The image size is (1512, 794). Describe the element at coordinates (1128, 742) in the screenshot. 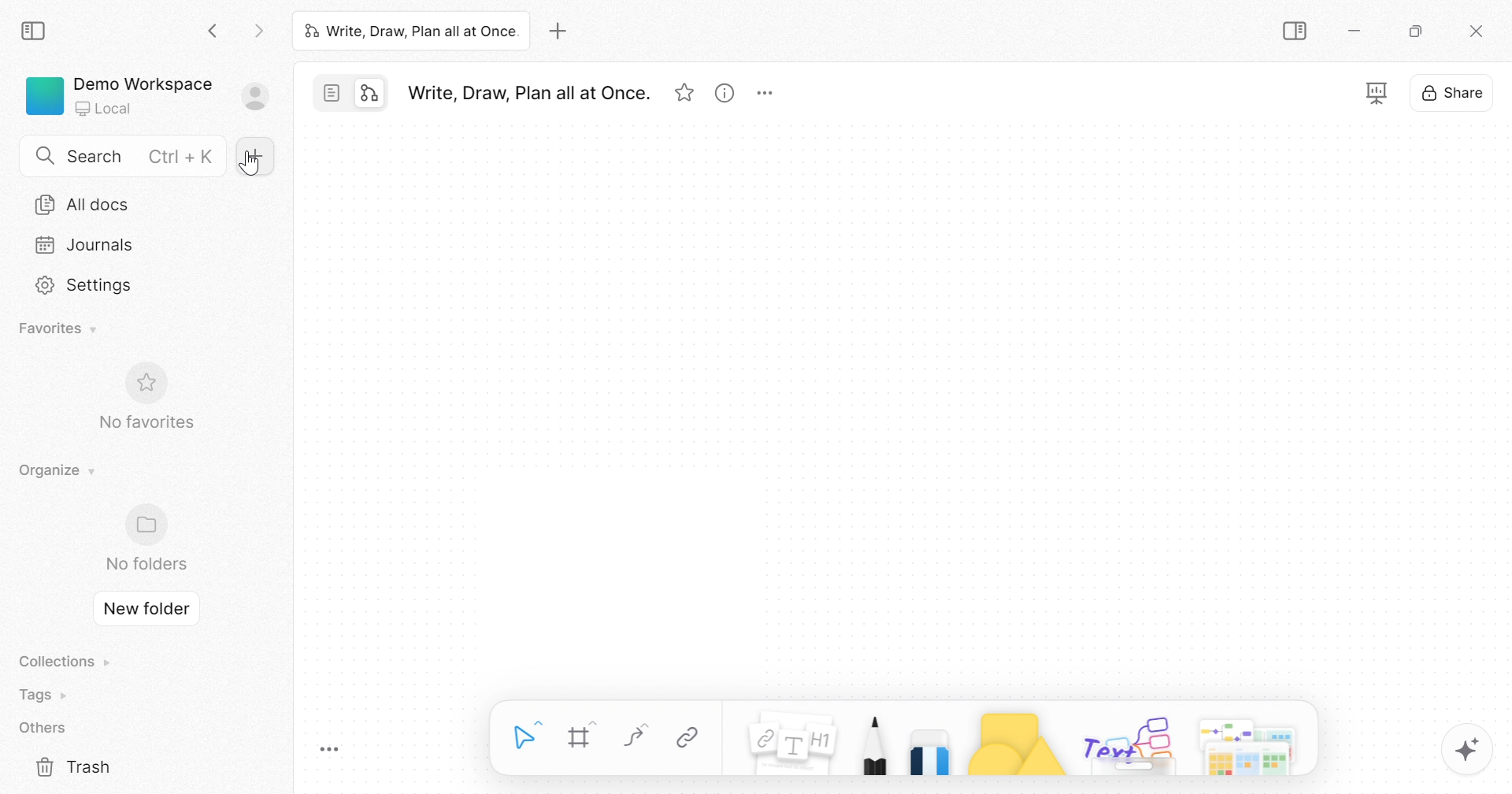

I see `Others` at that location.